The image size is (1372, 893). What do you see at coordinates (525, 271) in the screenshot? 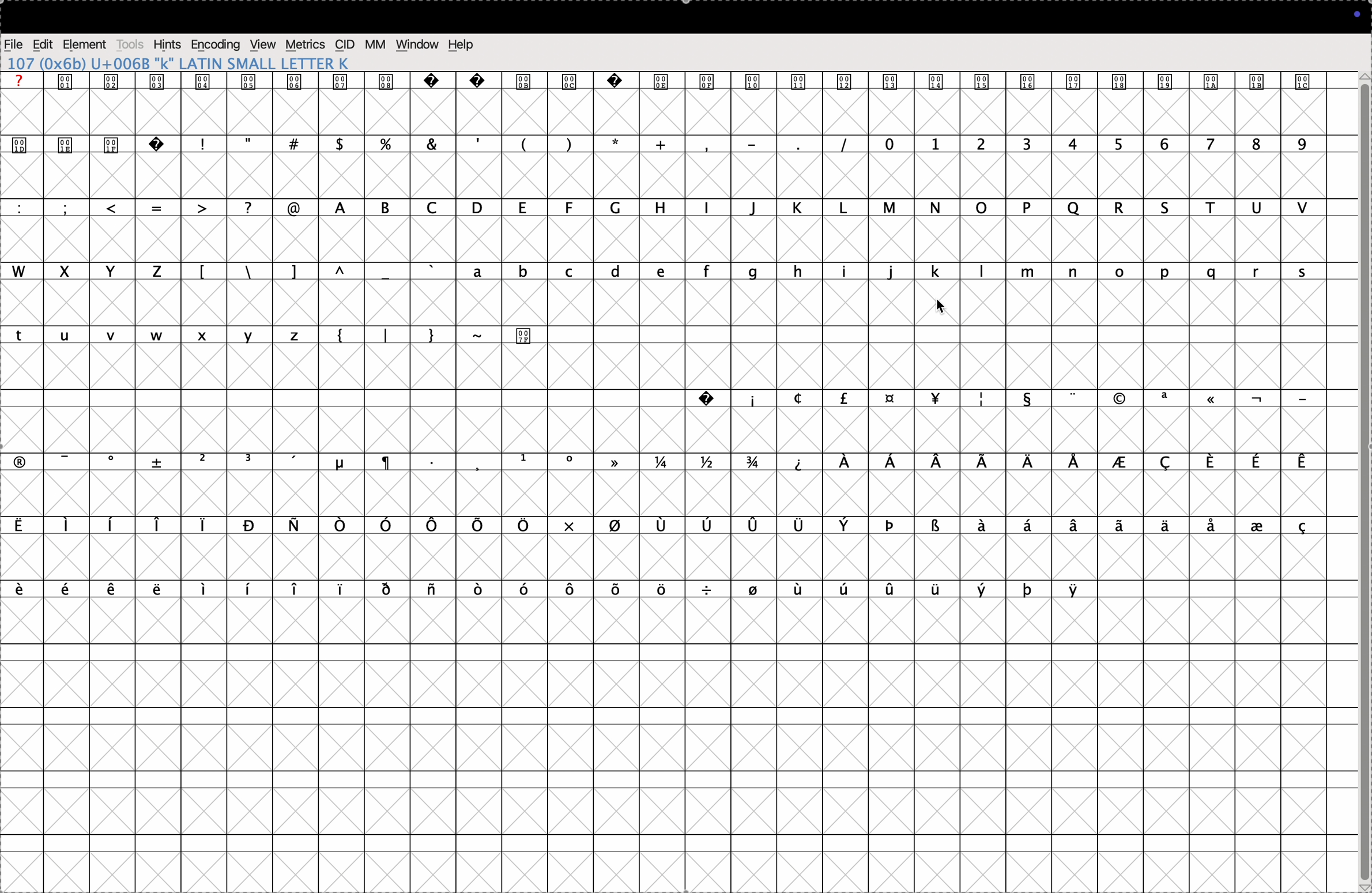
I see `b` at bounding box center [525, 271].